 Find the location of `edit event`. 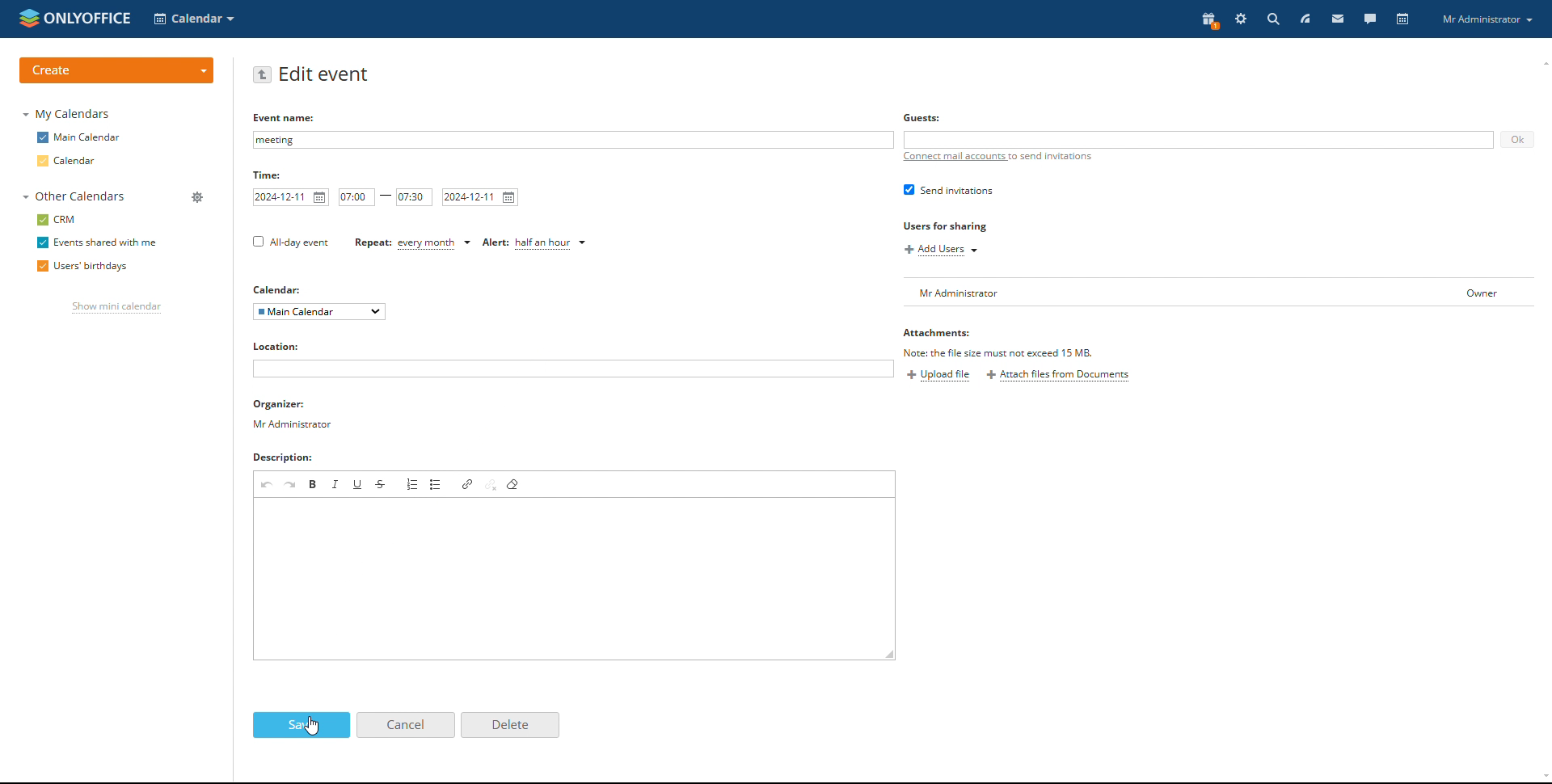

edit event is located at coordinates (327, 74).